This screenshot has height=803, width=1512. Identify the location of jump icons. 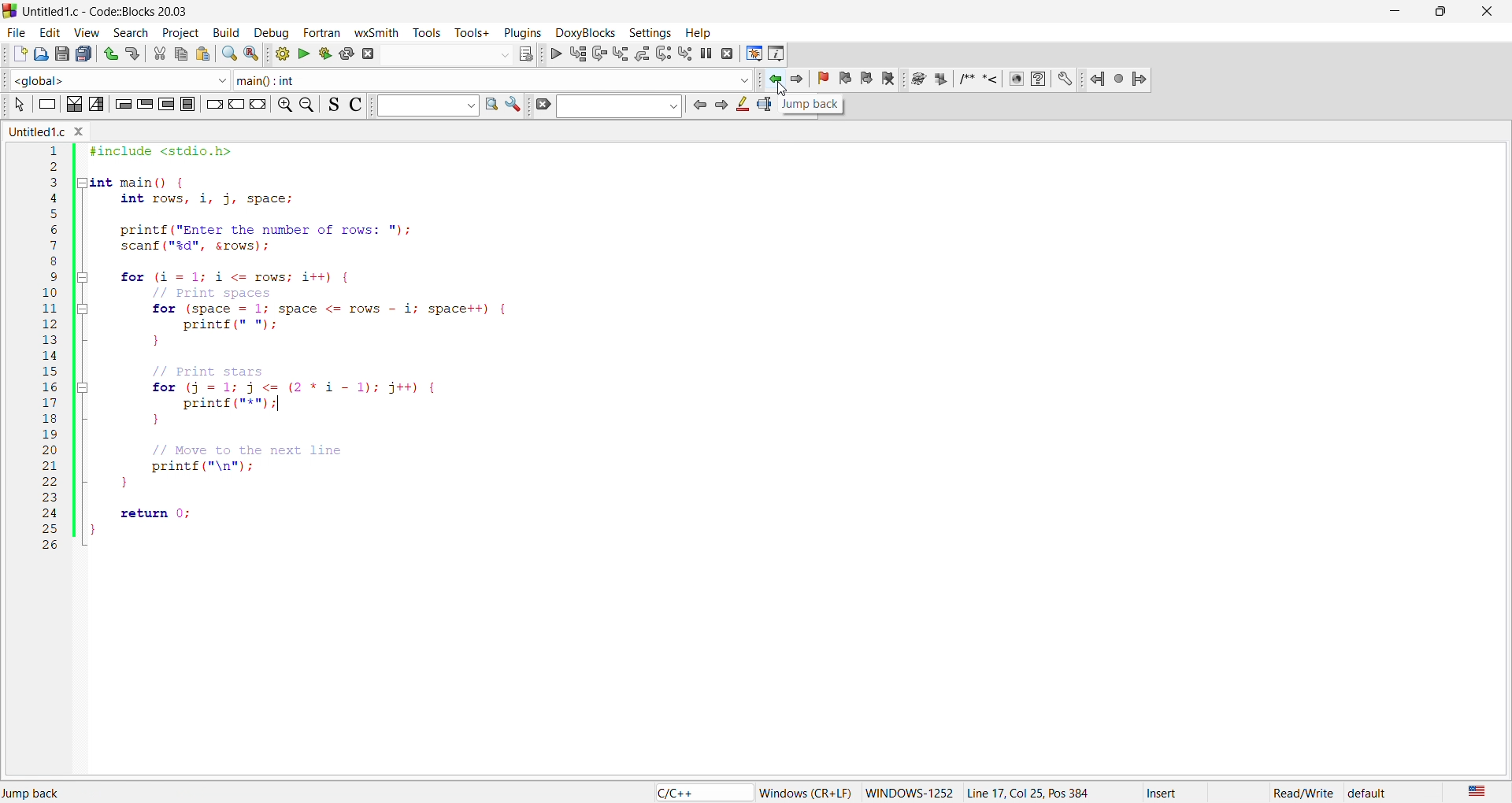
(1114, 77).